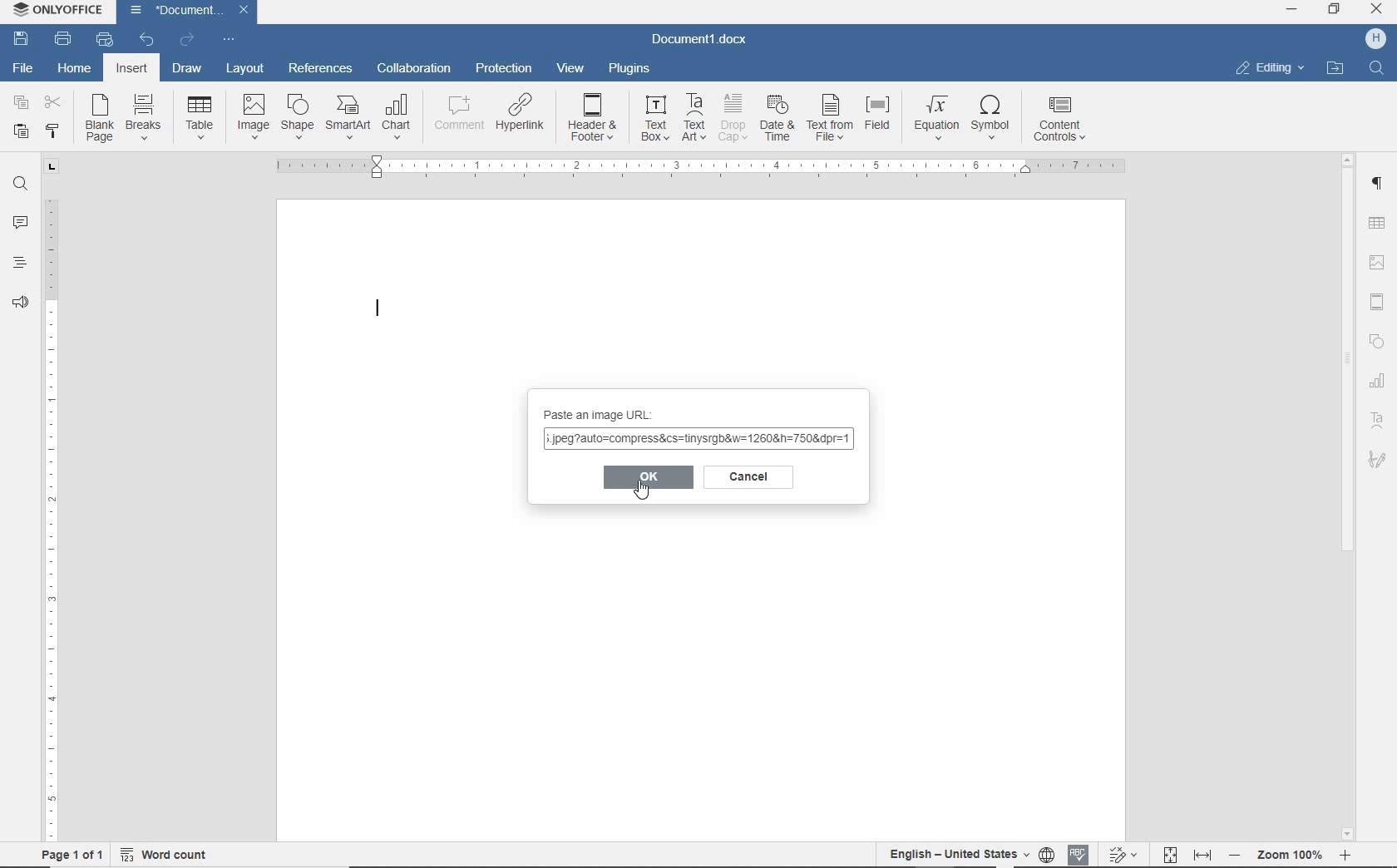 Image resolution: width=1397 pixels, height=868 pixels. What do you see at coordinates (700, 441) in the screenshot?
I see `Image URL added` at bounding box center [700, 441].